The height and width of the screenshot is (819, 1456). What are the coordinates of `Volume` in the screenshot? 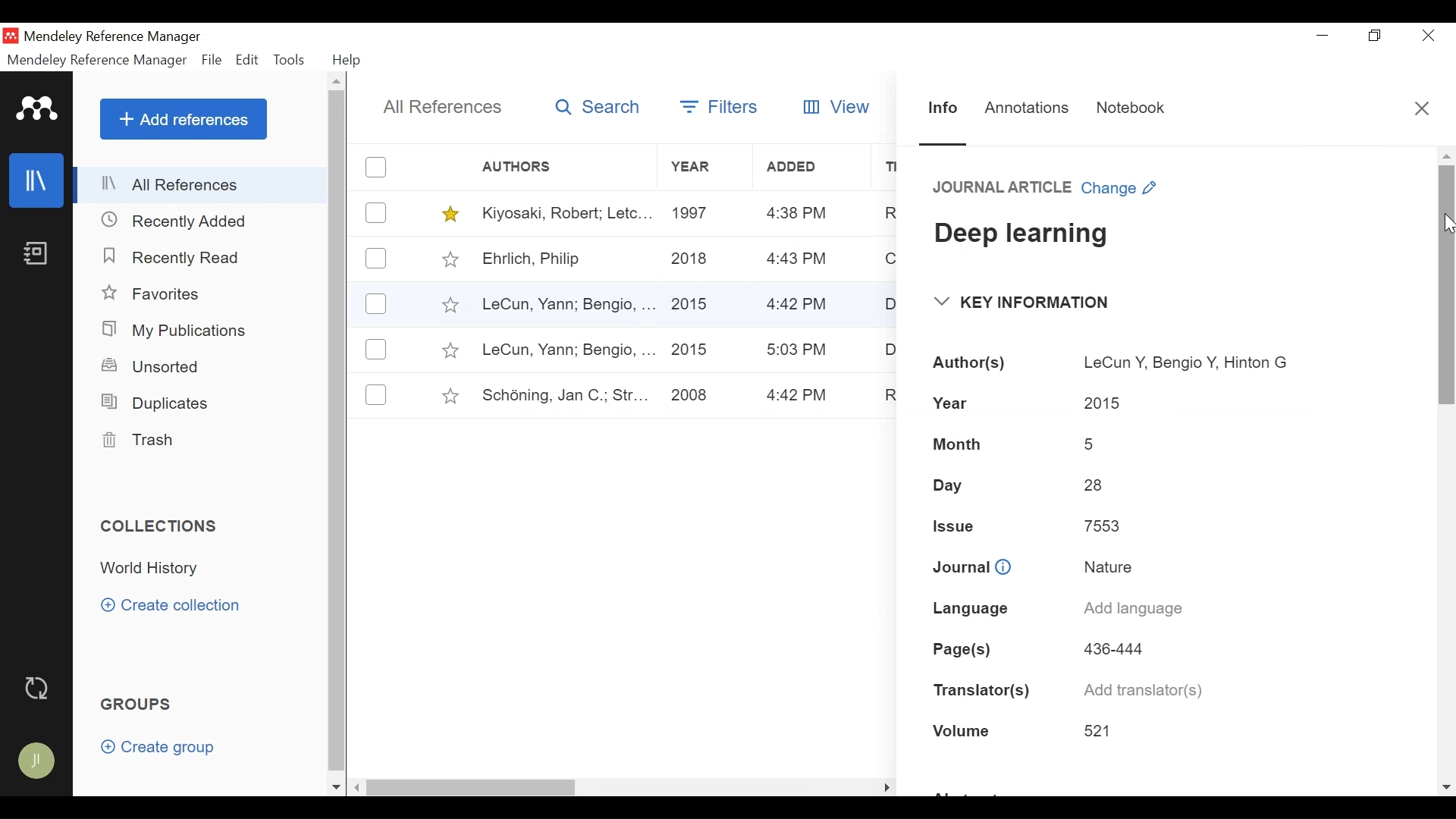 It's located at (965, 730).